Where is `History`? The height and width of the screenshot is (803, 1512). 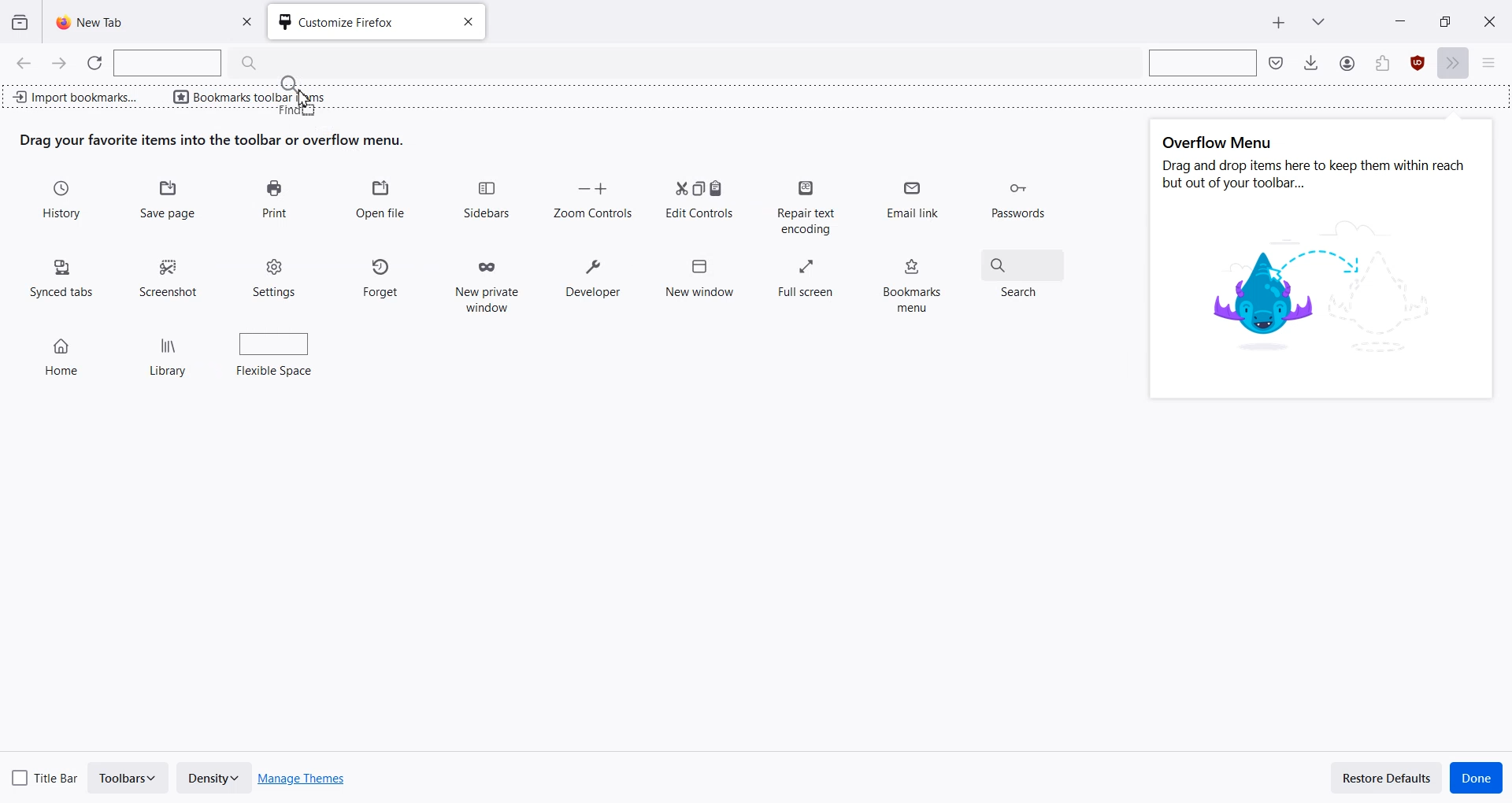
History is located at coordinates (64, 201).